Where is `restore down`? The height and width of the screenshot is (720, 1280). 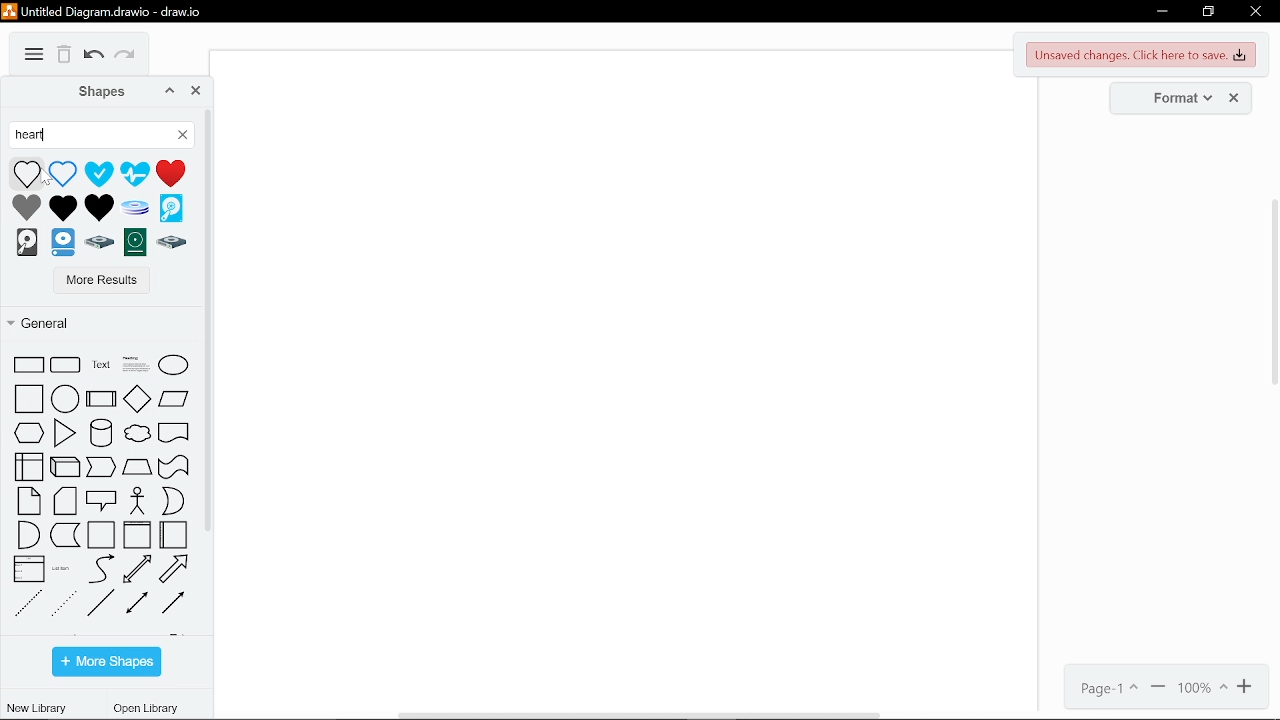 restore down is located at coordinates (1208, 13).